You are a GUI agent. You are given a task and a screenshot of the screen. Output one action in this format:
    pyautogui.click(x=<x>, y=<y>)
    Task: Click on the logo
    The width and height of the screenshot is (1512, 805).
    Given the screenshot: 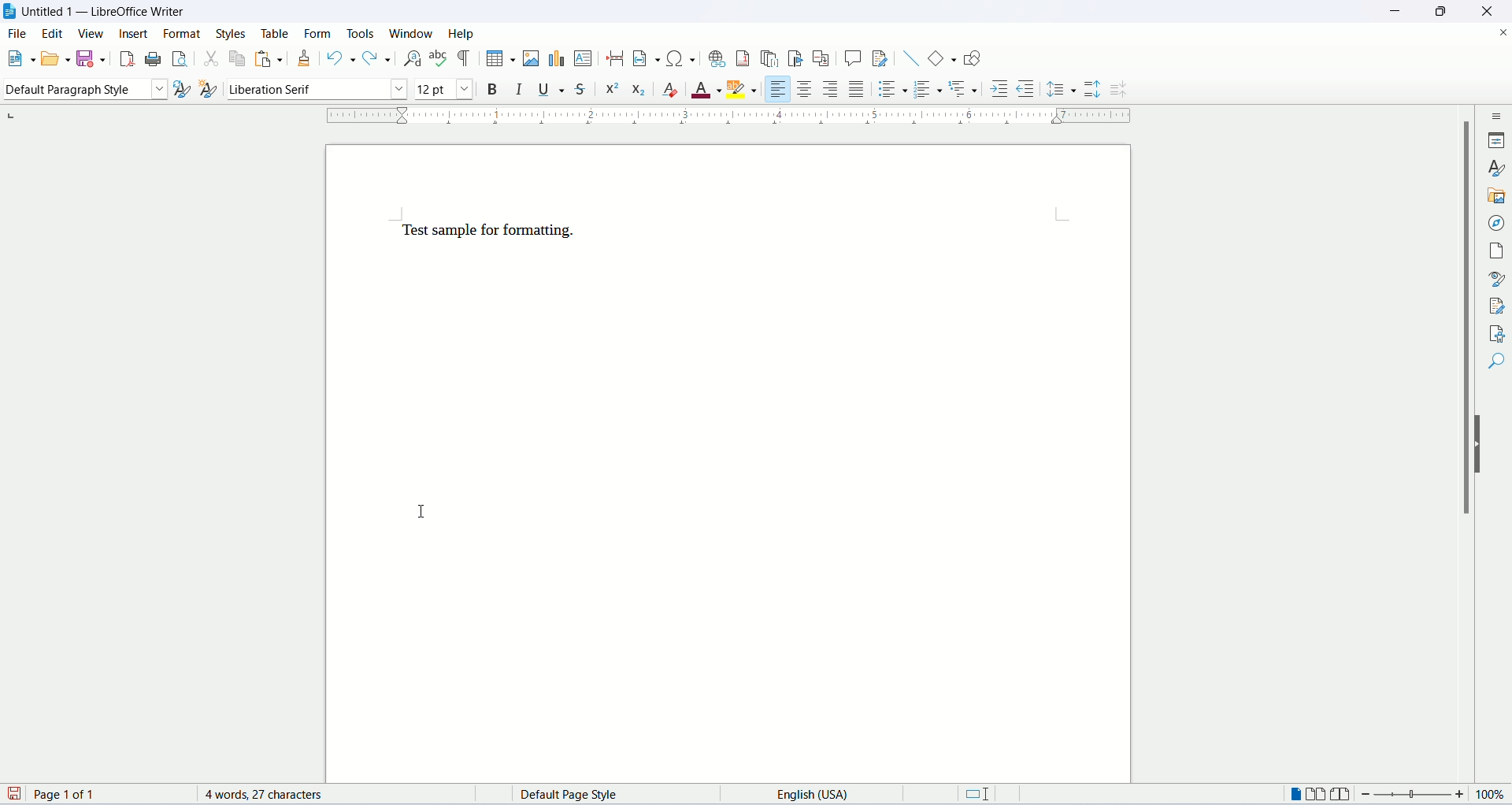 What is the action you would take?
    pyautogui.click(x=11, y=13)
    